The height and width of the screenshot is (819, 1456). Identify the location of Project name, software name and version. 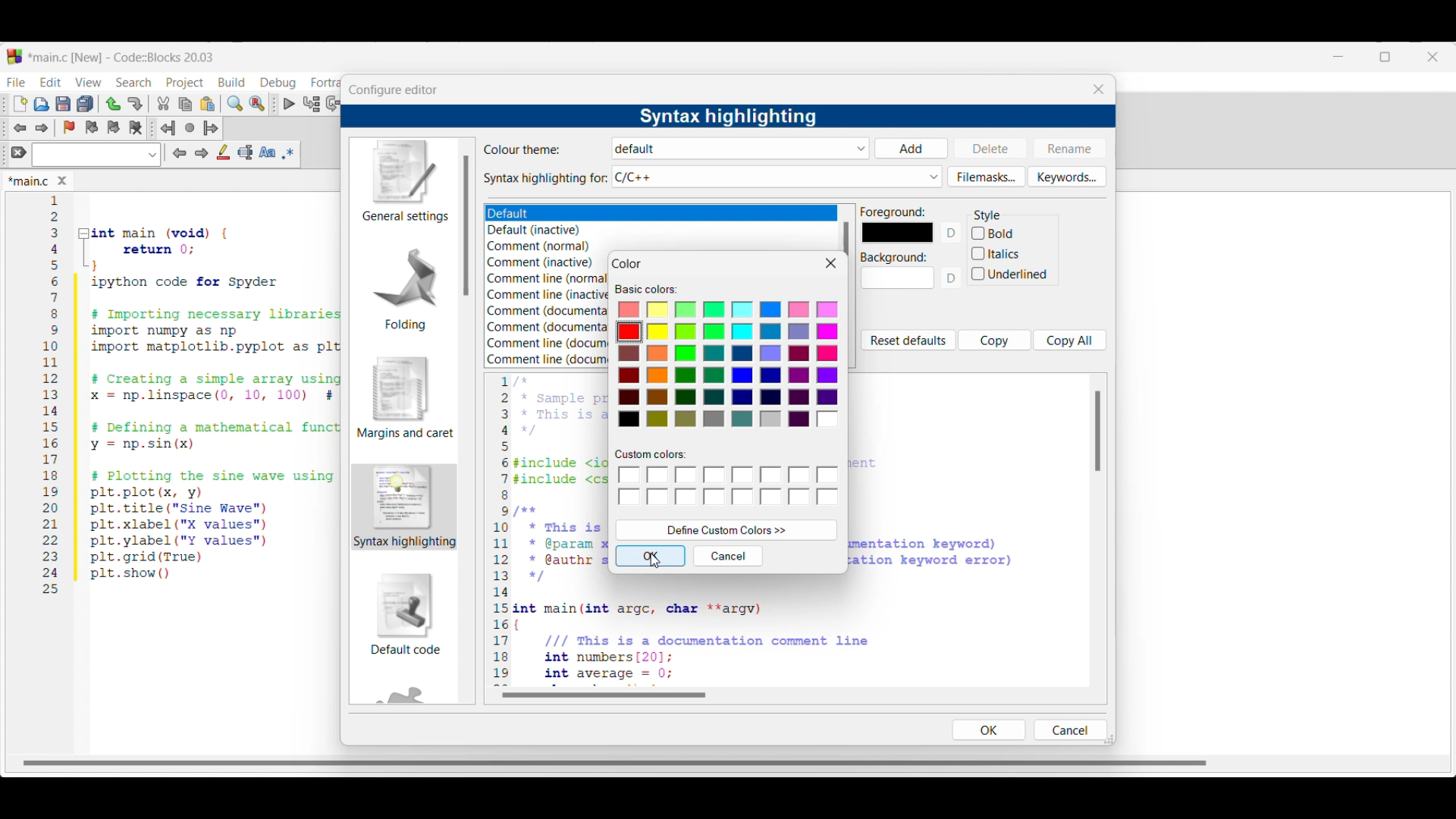
(124, 57).